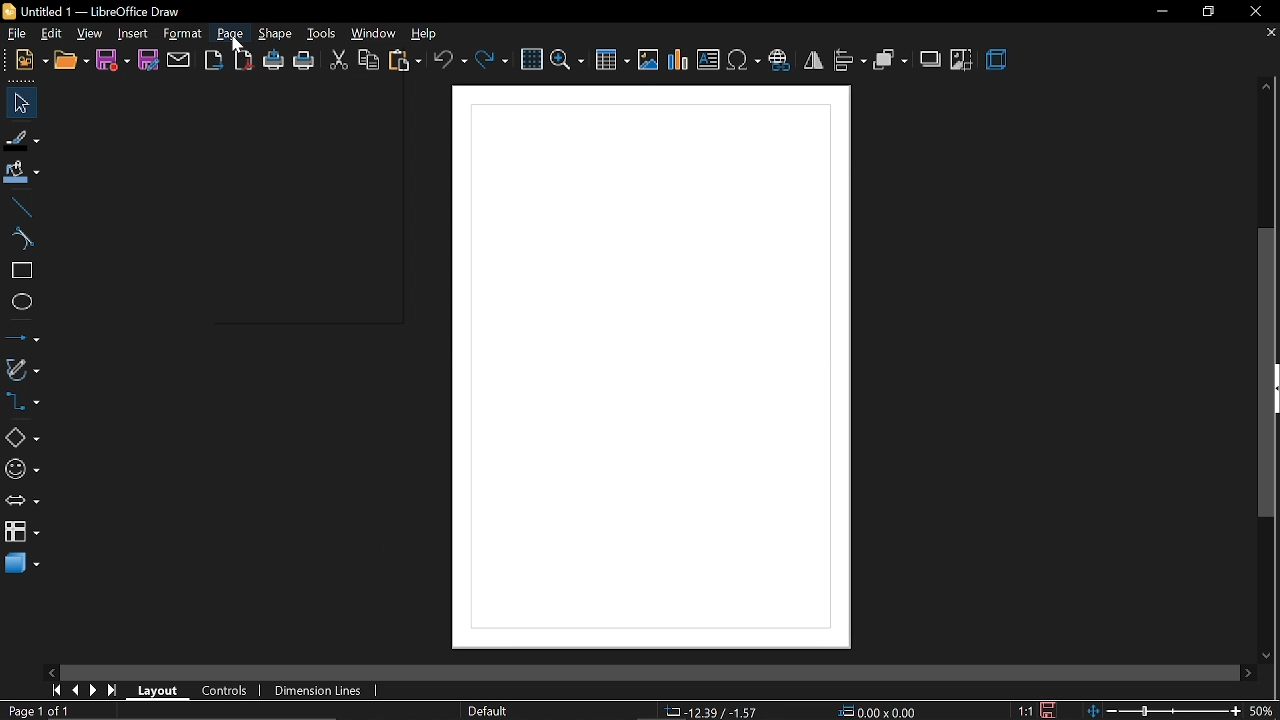 This screenshot has height=720, width=1280. Describe the element at coordinates (321, 33) in the screenshot. I see `tools` at that location.